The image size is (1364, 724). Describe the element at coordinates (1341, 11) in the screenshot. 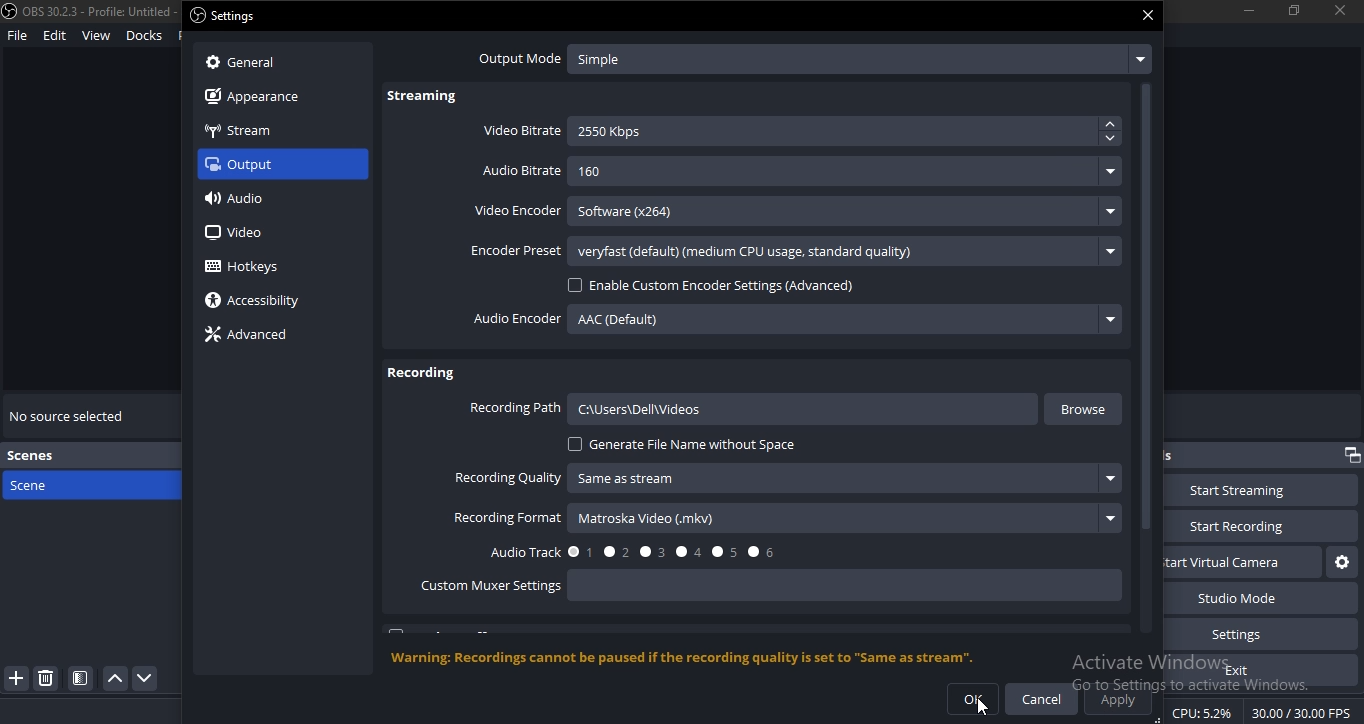

I see `close` at that location.